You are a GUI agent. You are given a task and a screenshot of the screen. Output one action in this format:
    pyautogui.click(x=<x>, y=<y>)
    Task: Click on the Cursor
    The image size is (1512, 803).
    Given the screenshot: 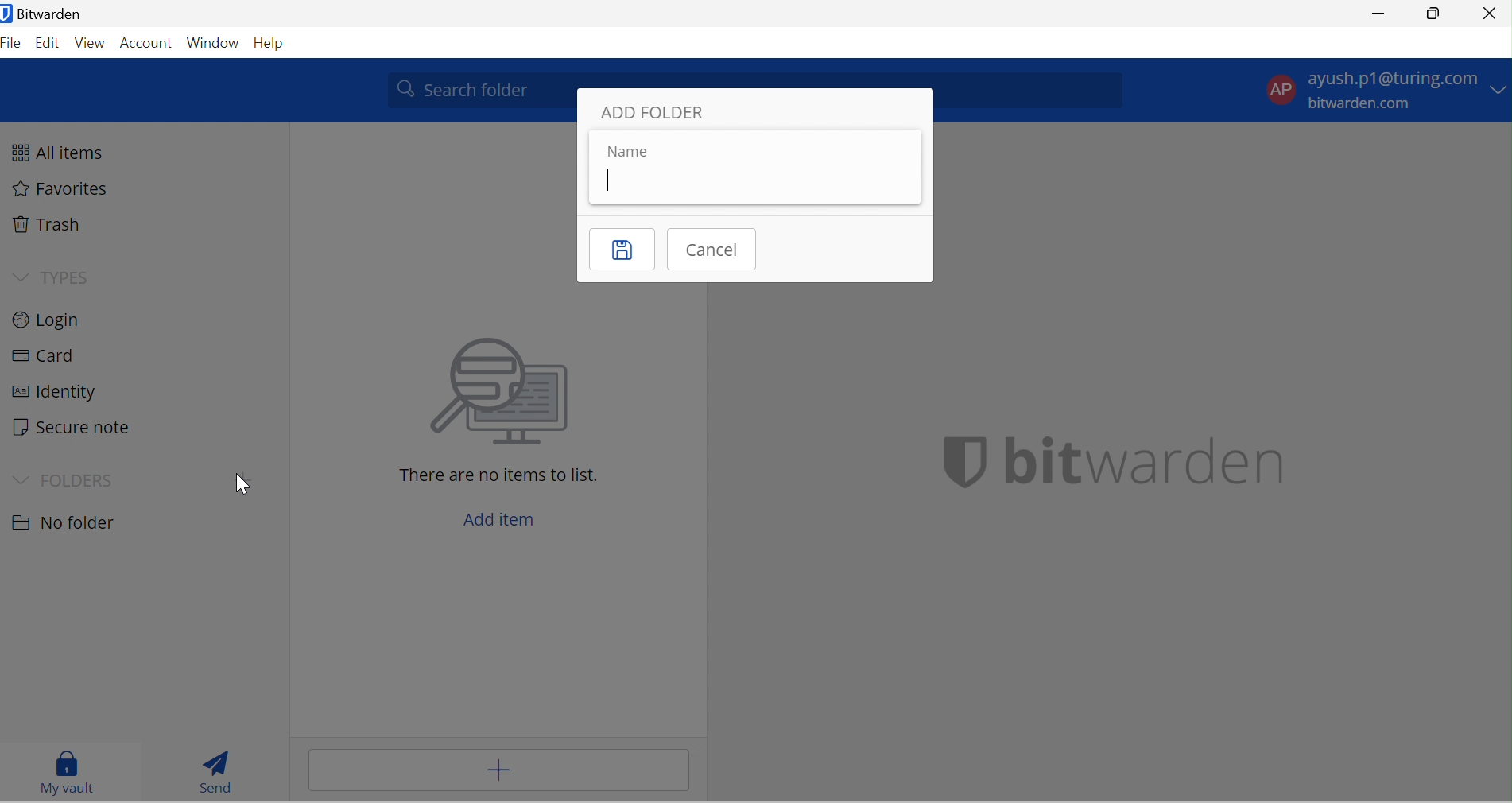 What is the action you would take?
    pyautogui.click(x=246, y=484)
    